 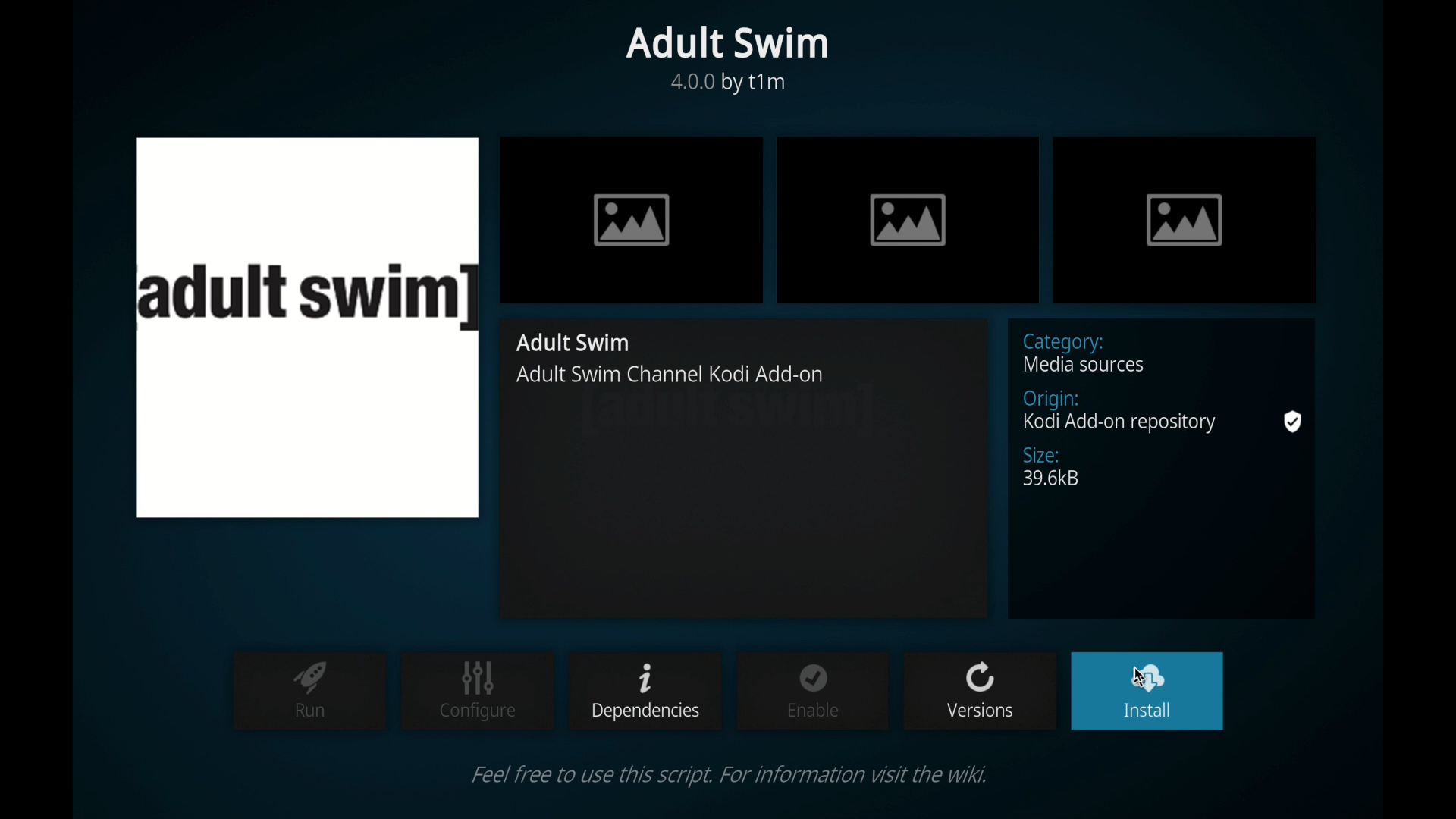 I want to click on origin, so click(x=1163, y=413).